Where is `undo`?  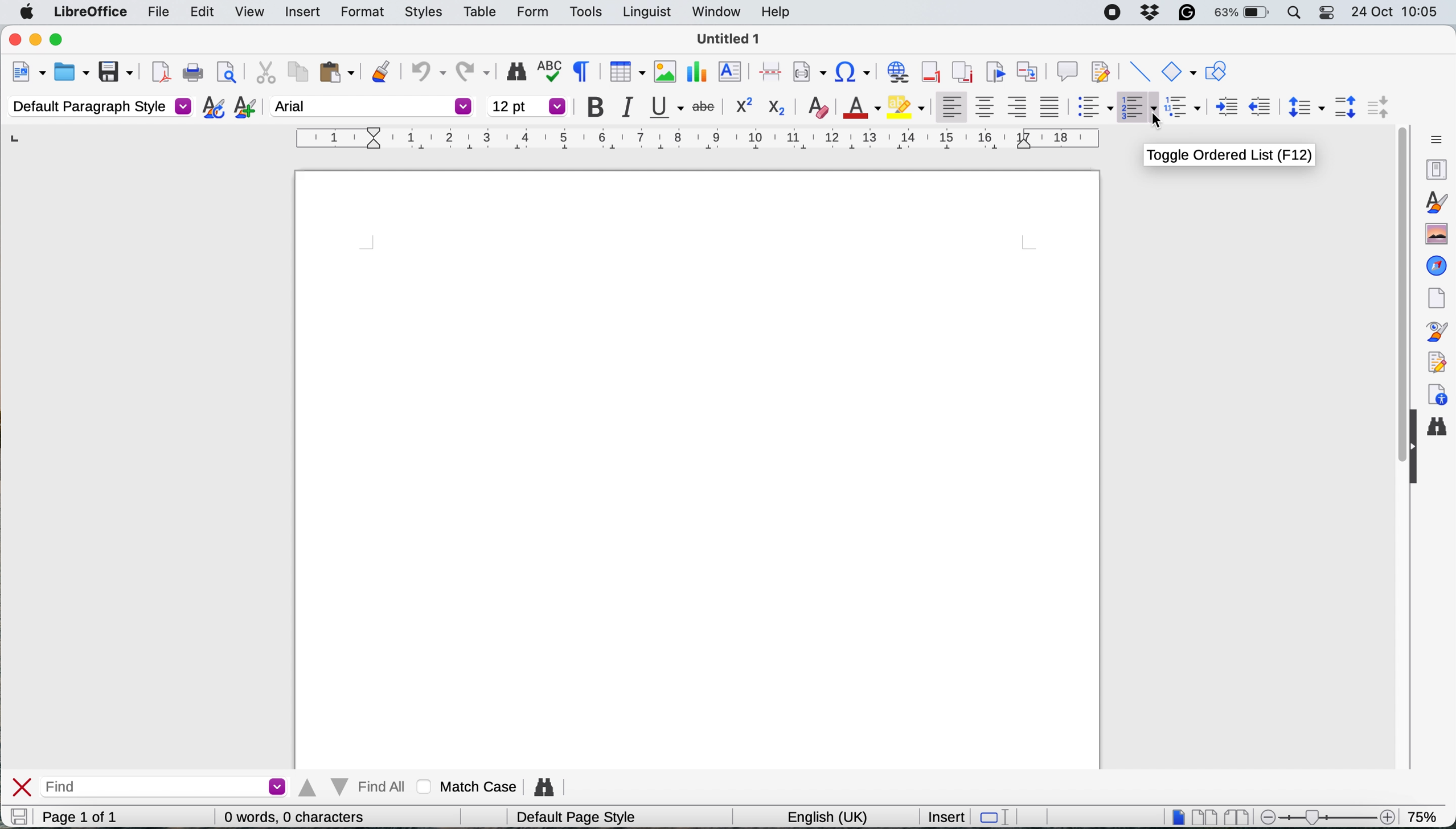
undo is located at coordinates (427, 69).